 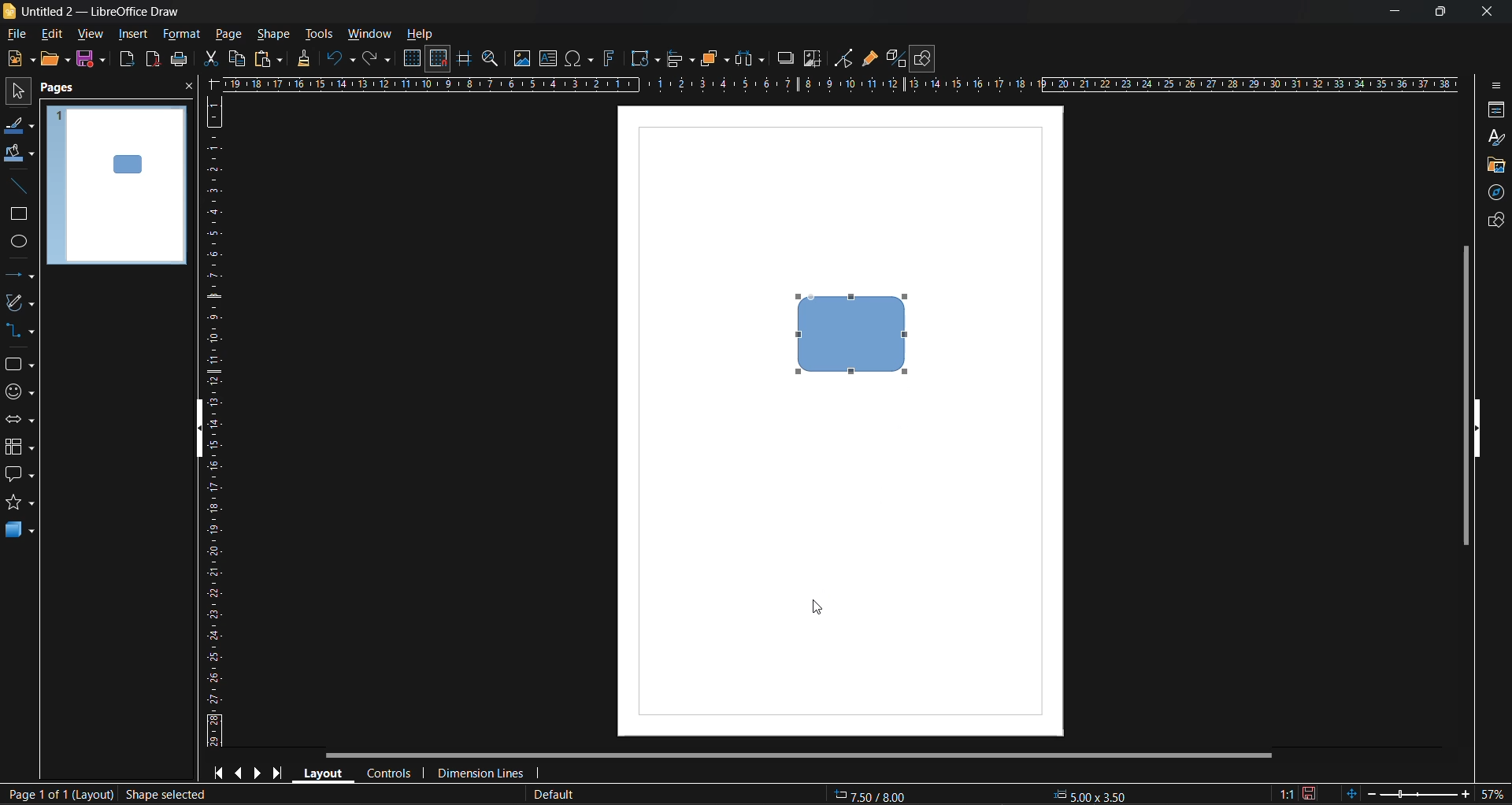 What do you see at coordinates (58, 795) in the screenshot?
I see `page number` at bounding box center [58, 795].